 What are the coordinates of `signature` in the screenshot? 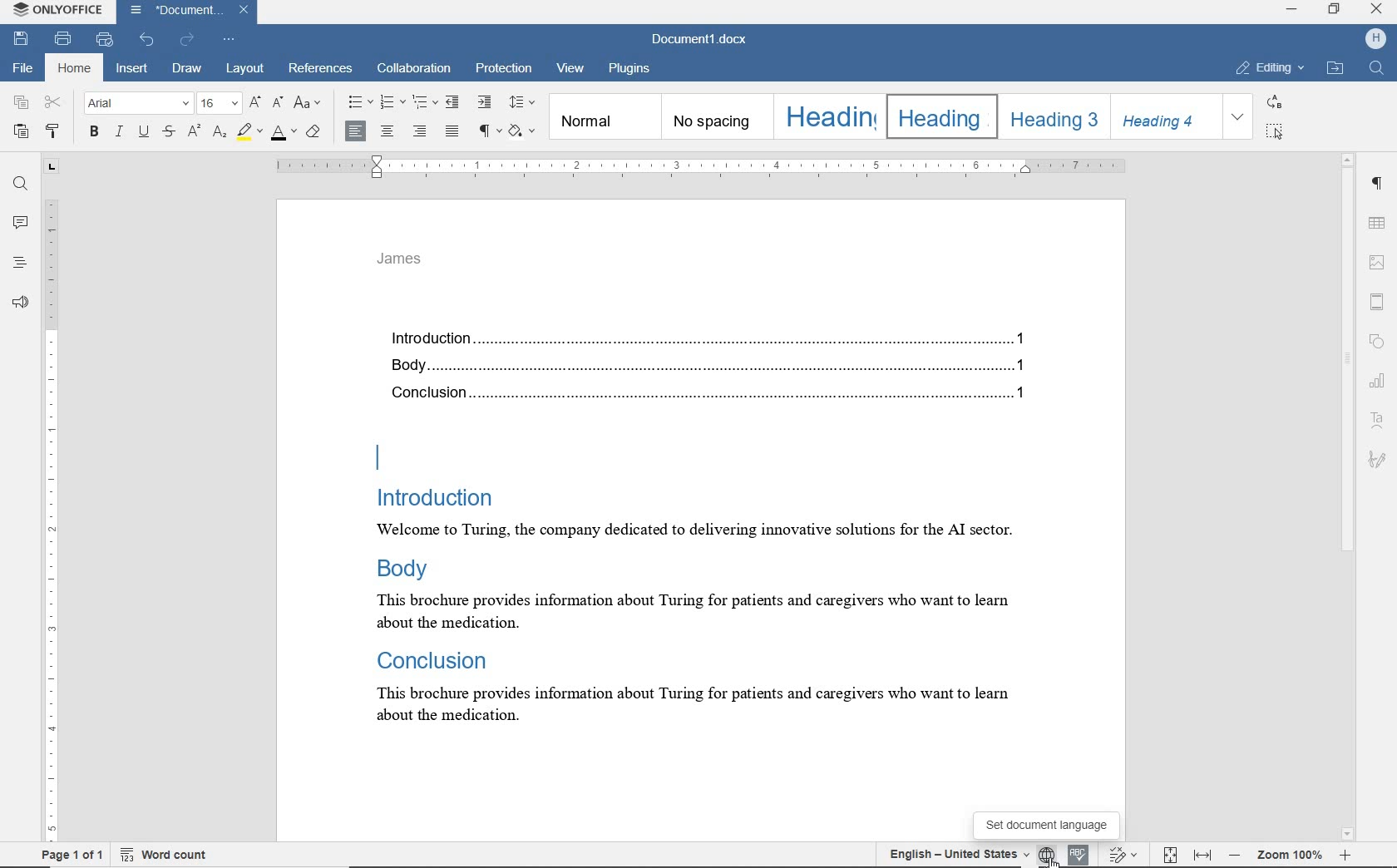 It's located at (1376, 458).